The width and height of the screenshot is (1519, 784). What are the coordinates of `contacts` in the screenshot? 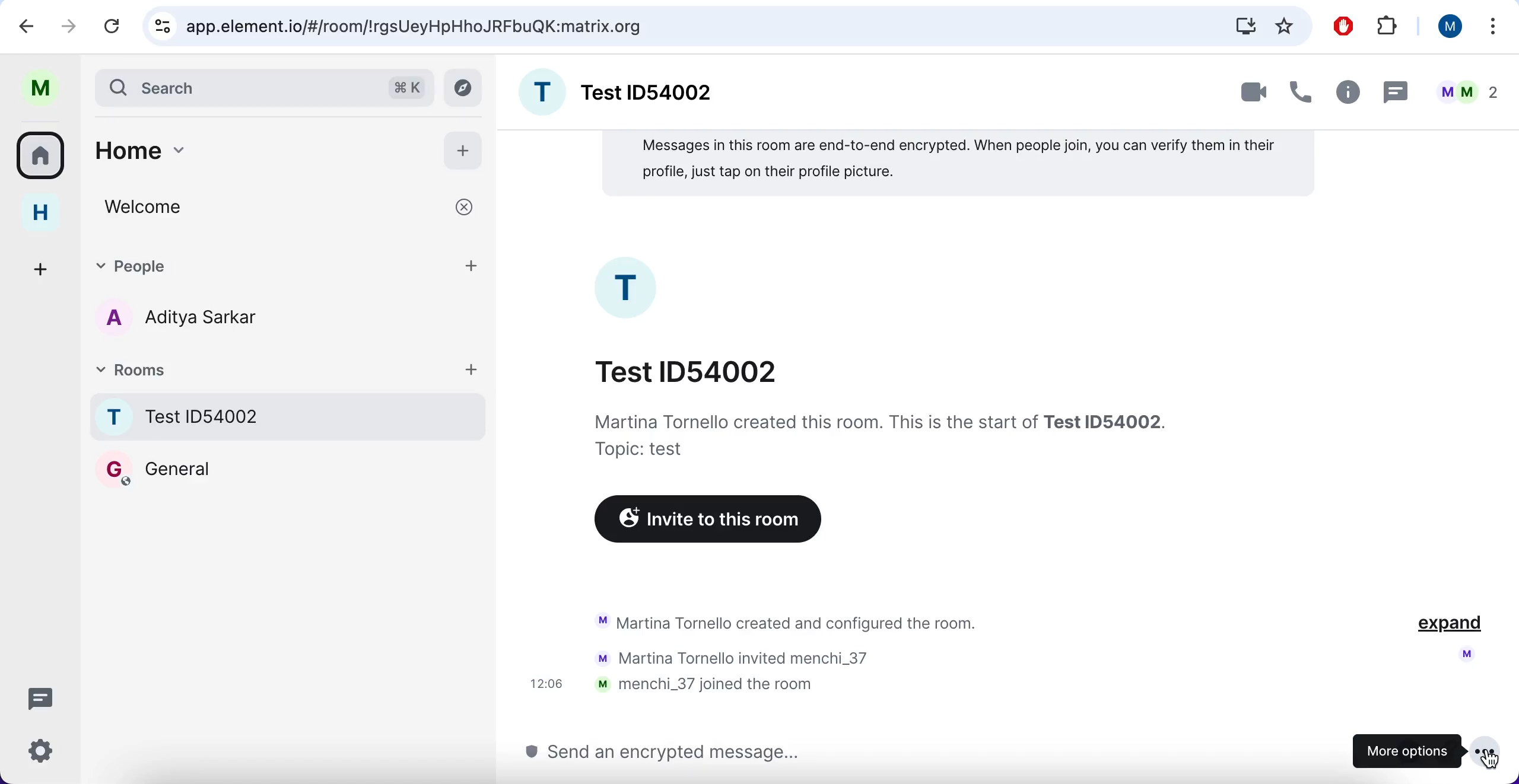 It's located at (172, 320).